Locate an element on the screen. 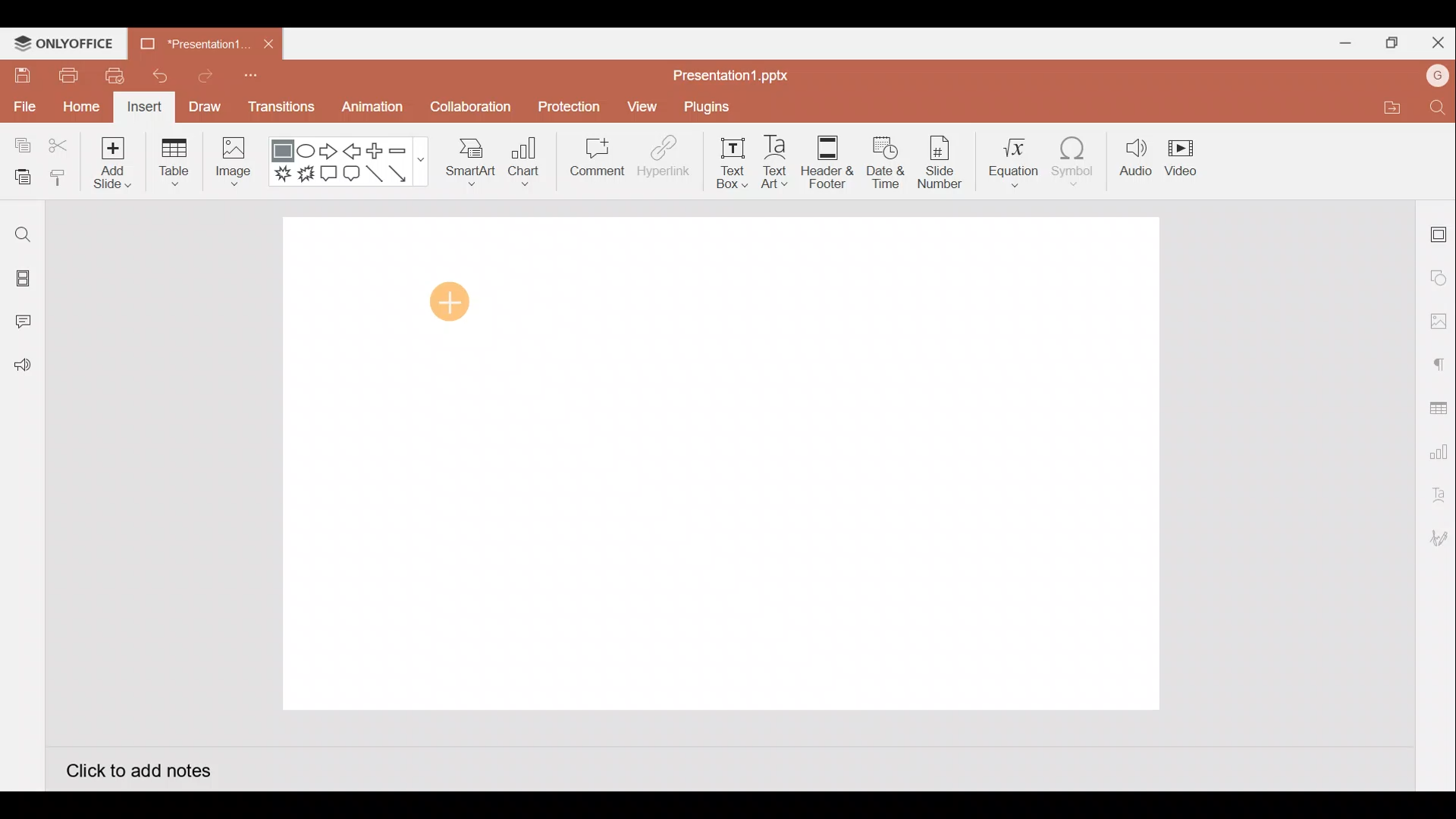 Image resolution: width=1456 pixels, height=819 pixels. Protection is located at coordinates (565, 107).